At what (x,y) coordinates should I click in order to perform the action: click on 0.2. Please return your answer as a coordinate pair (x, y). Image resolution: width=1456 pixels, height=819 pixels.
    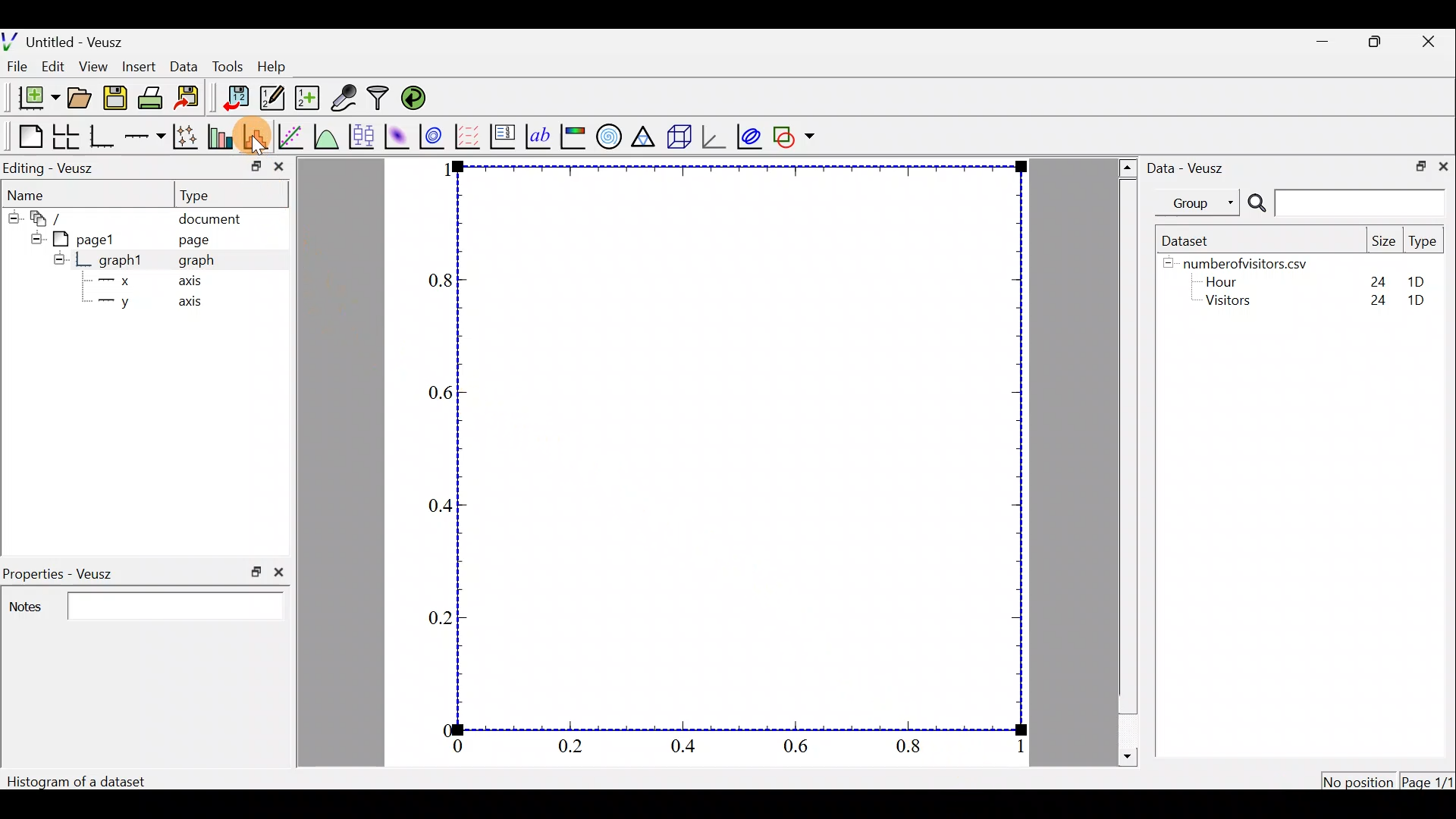
    Looking at the image, I should click on (573, 745).